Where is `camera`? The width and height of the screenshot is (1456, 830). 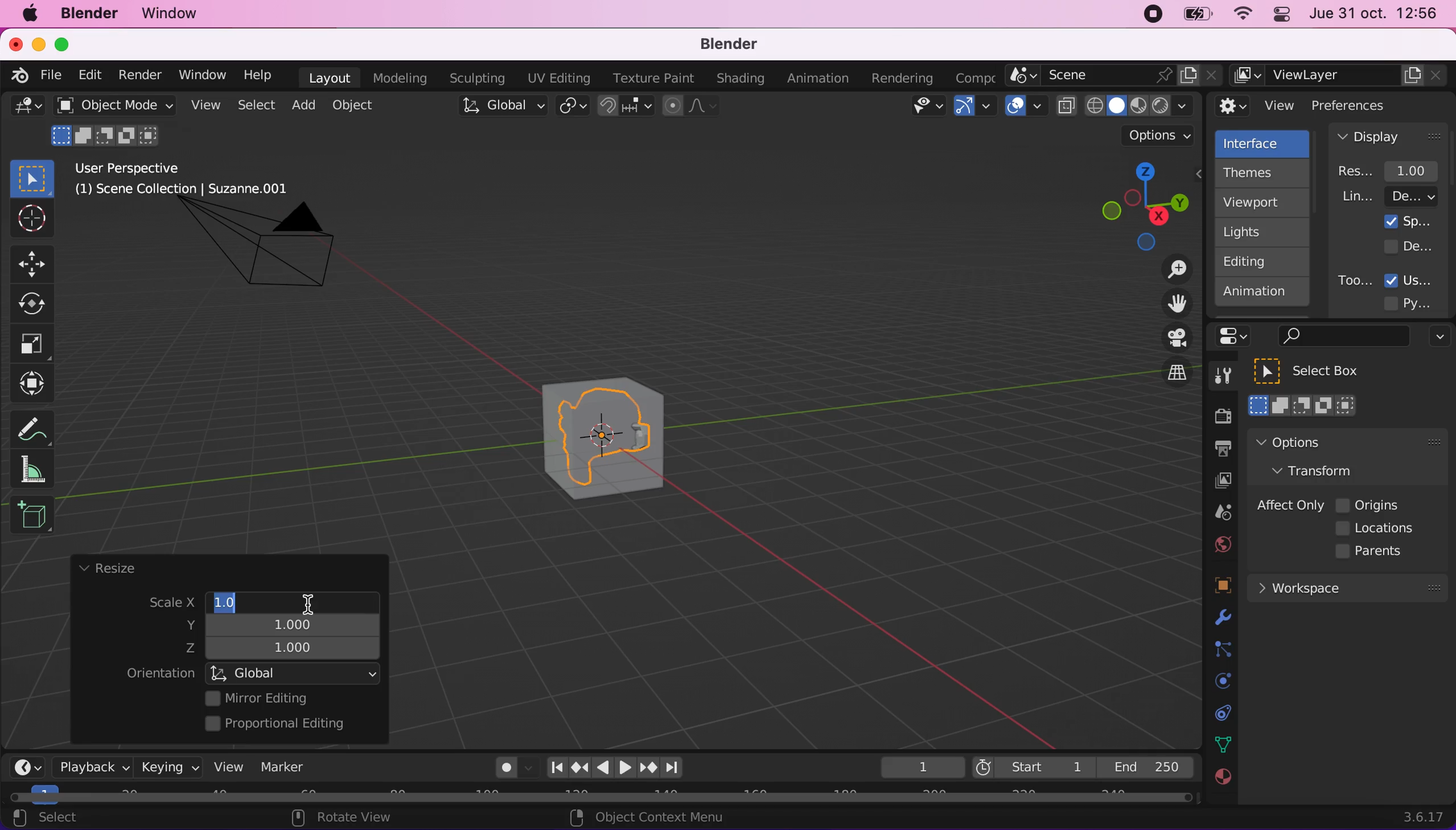
camera is located at coordinates (272, 255).